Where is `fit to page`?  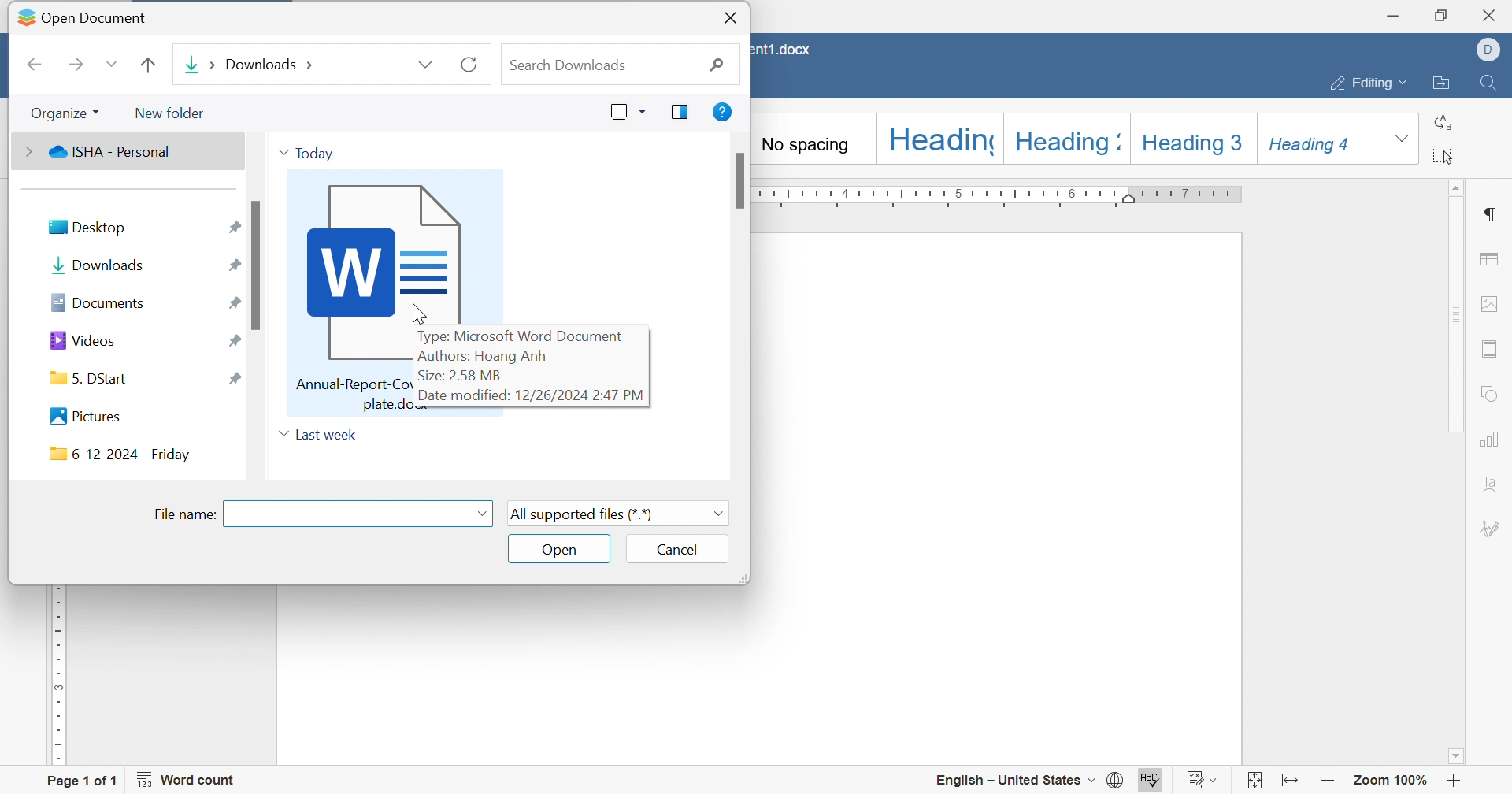 fit to page is located at coordinates (1253, 781).